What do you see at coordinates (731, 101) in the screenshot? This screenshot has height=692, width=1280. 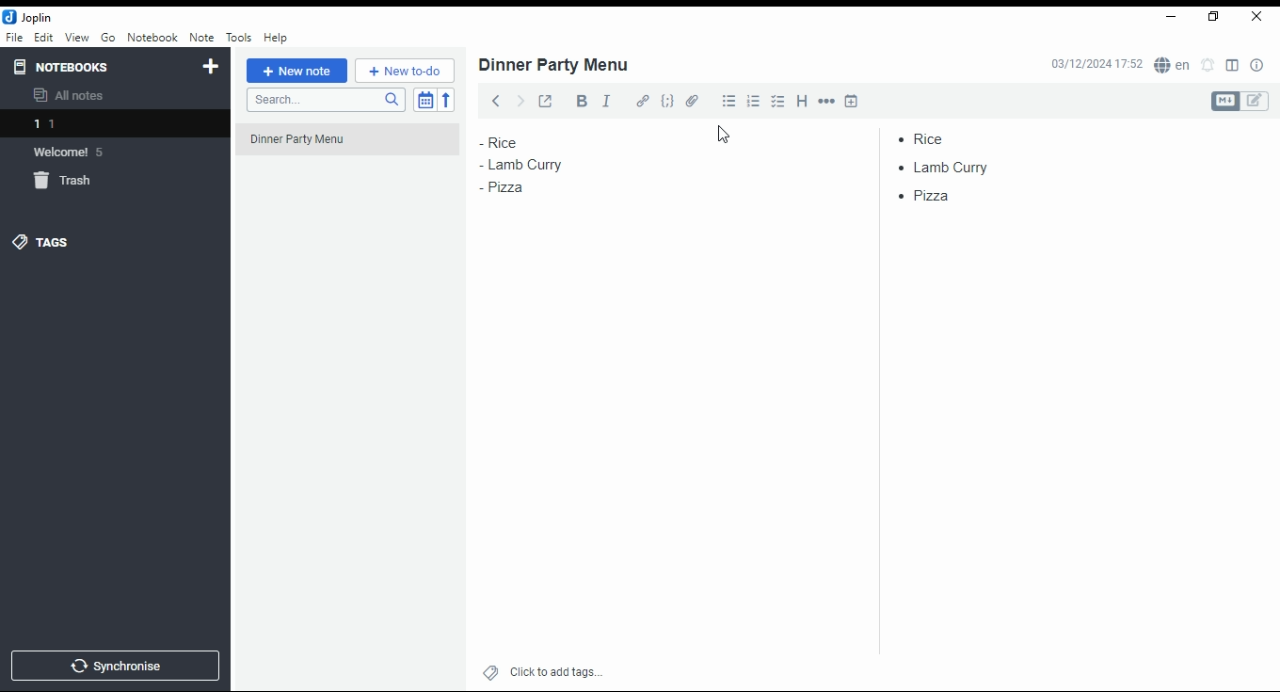 I see `bullet list` at bounding box center [731, 101].